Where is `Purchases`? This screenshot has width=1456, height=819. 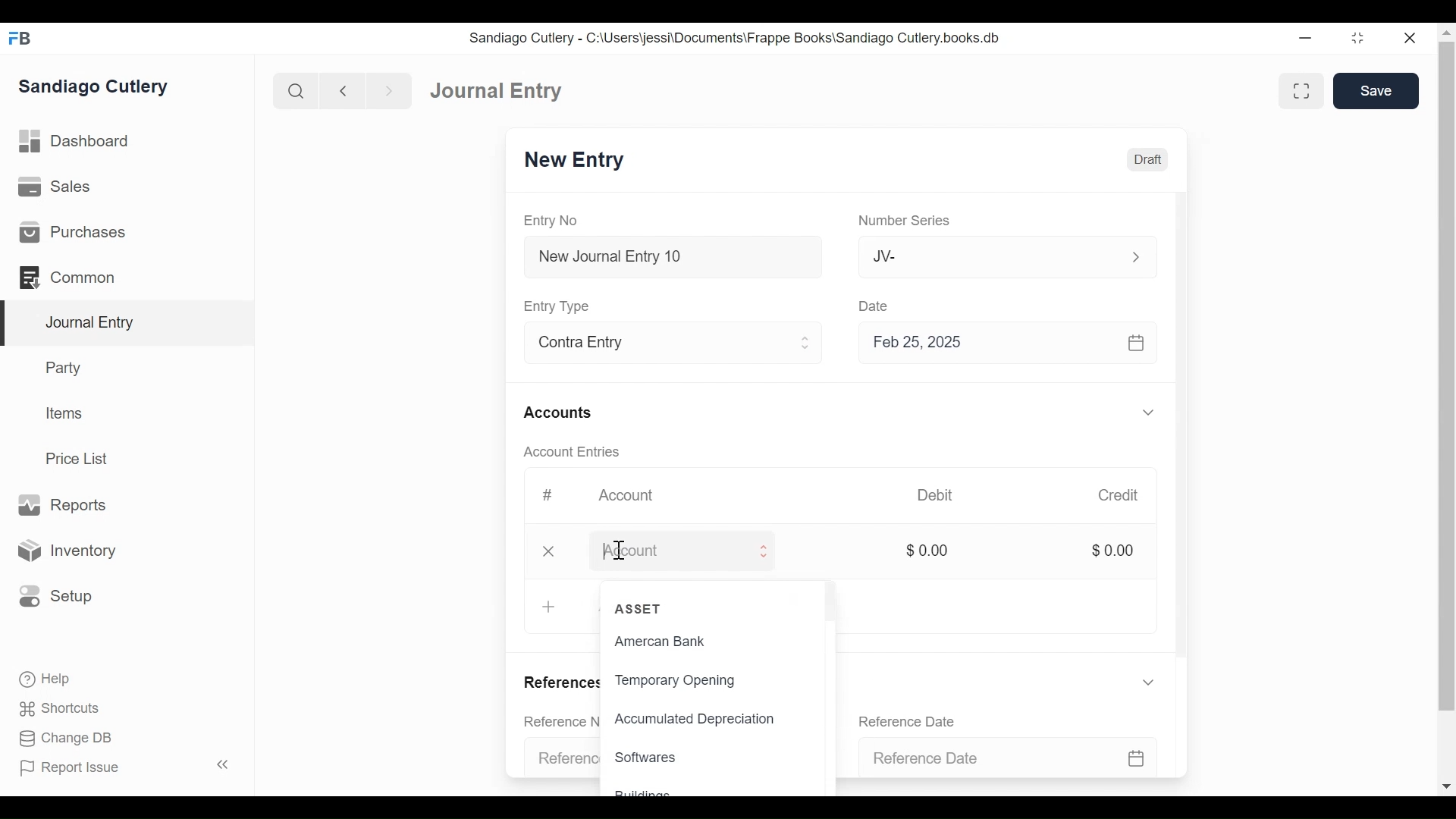
Purchases is located at coordinates (73, 233).